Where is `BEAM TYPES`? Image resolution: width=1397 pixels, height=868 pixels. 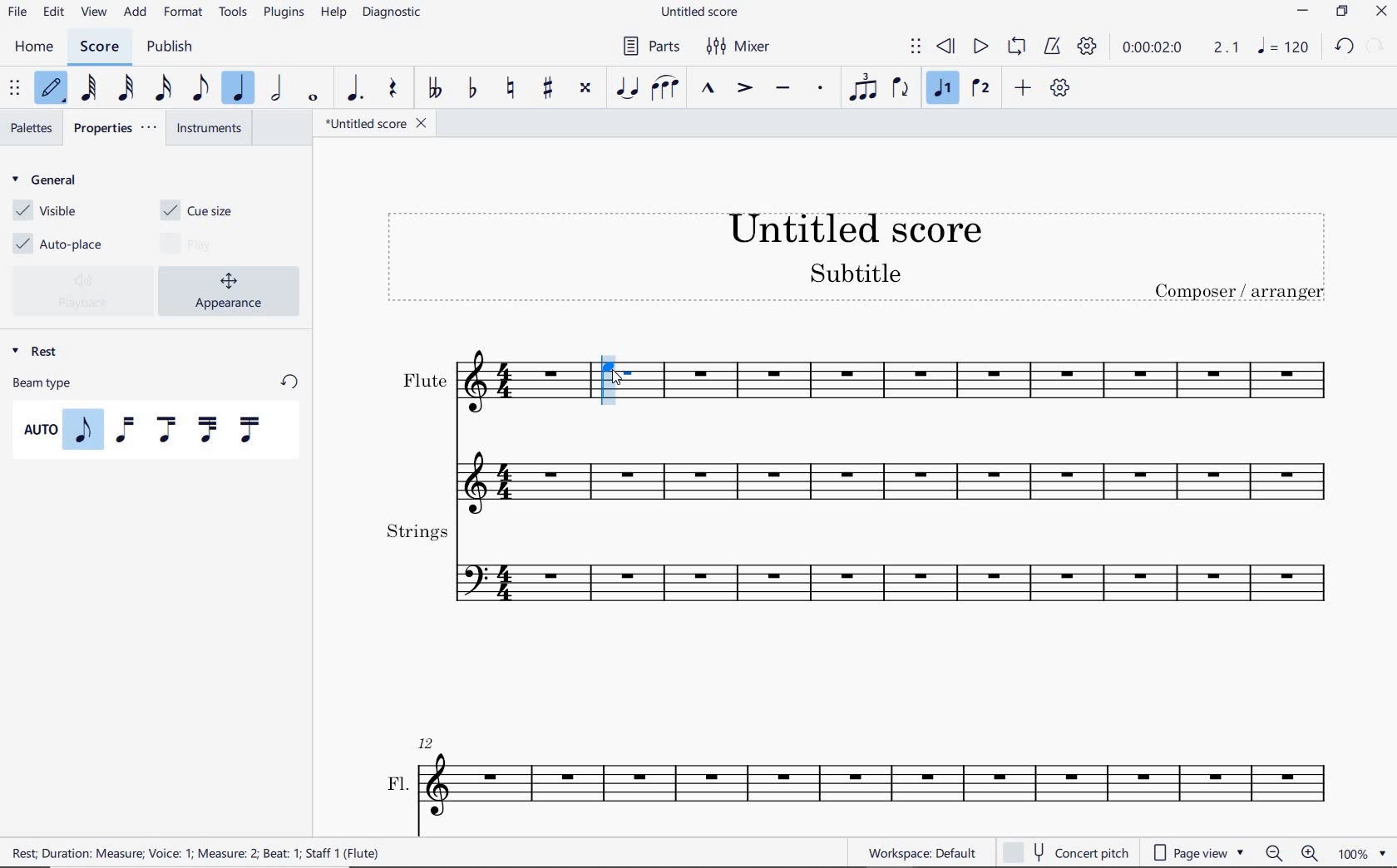 BEAM TYPES is located at coordinates (149, 430).